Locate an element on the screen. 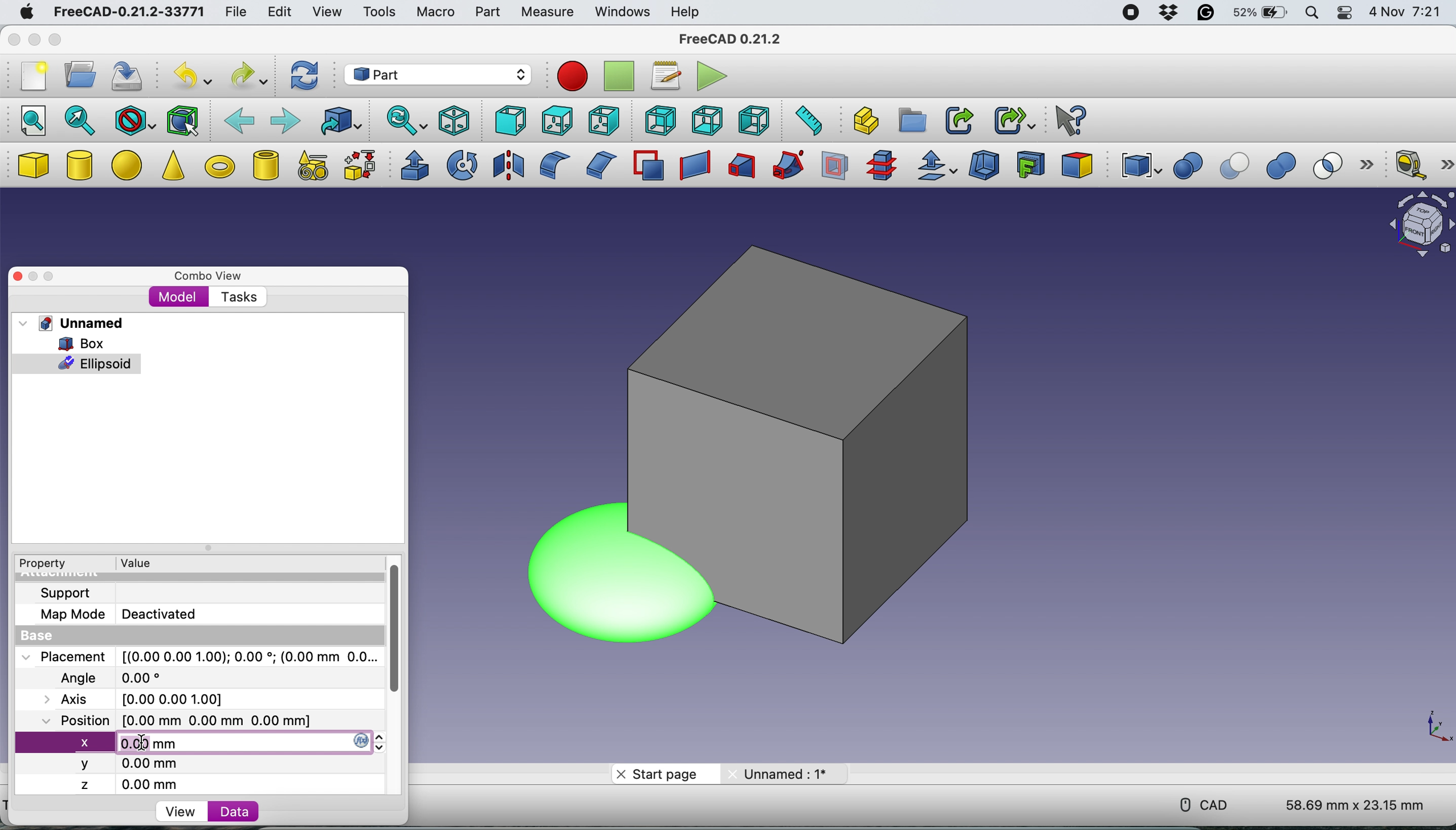 The image size is (1456, 830). torus is located at coordinates (219, 166).